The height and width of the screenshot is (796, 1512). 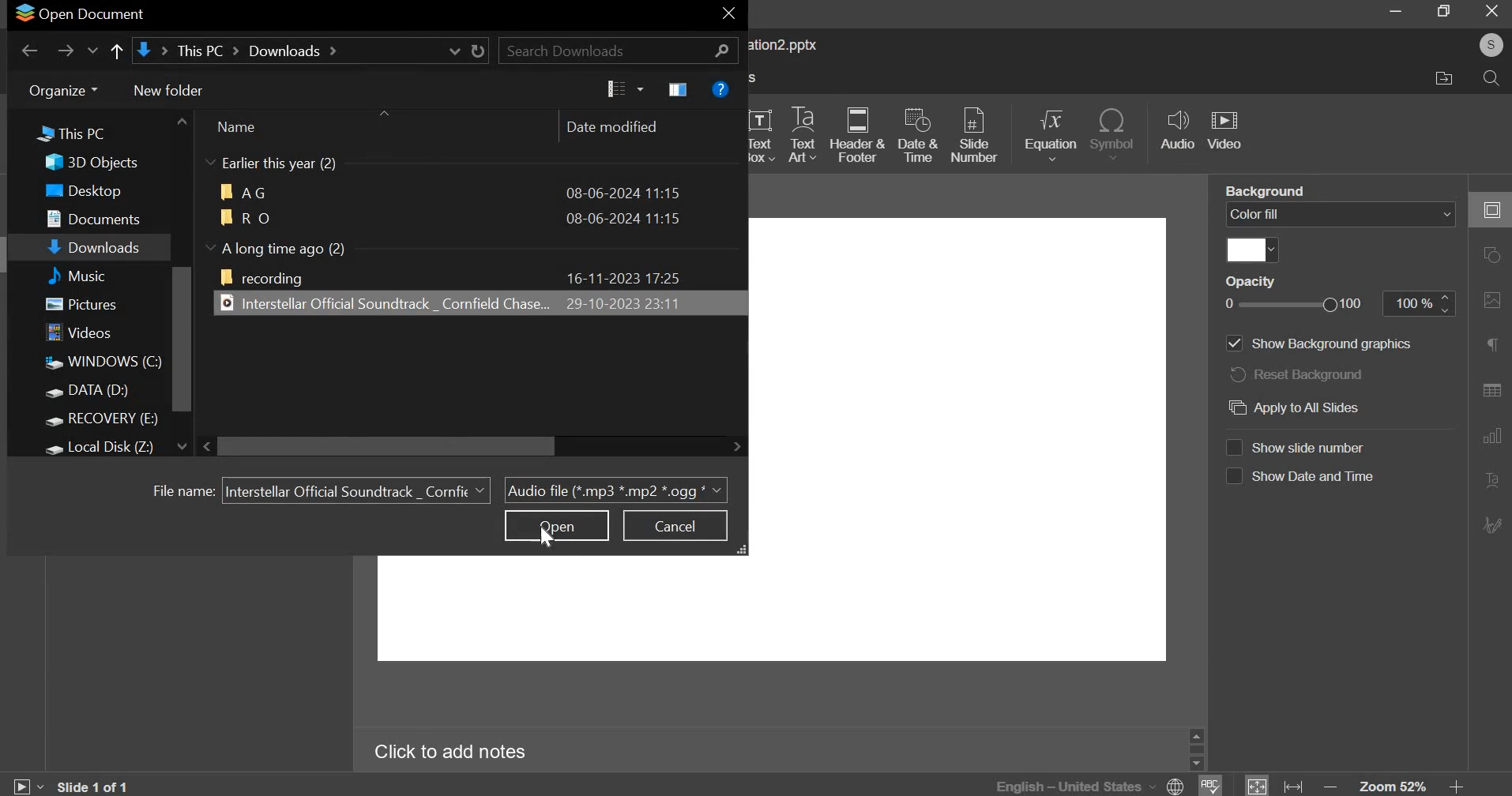 What do you see at coordinates (1491, 79) in the screenshot?
I see `search` at bounding box center [1491, 79].